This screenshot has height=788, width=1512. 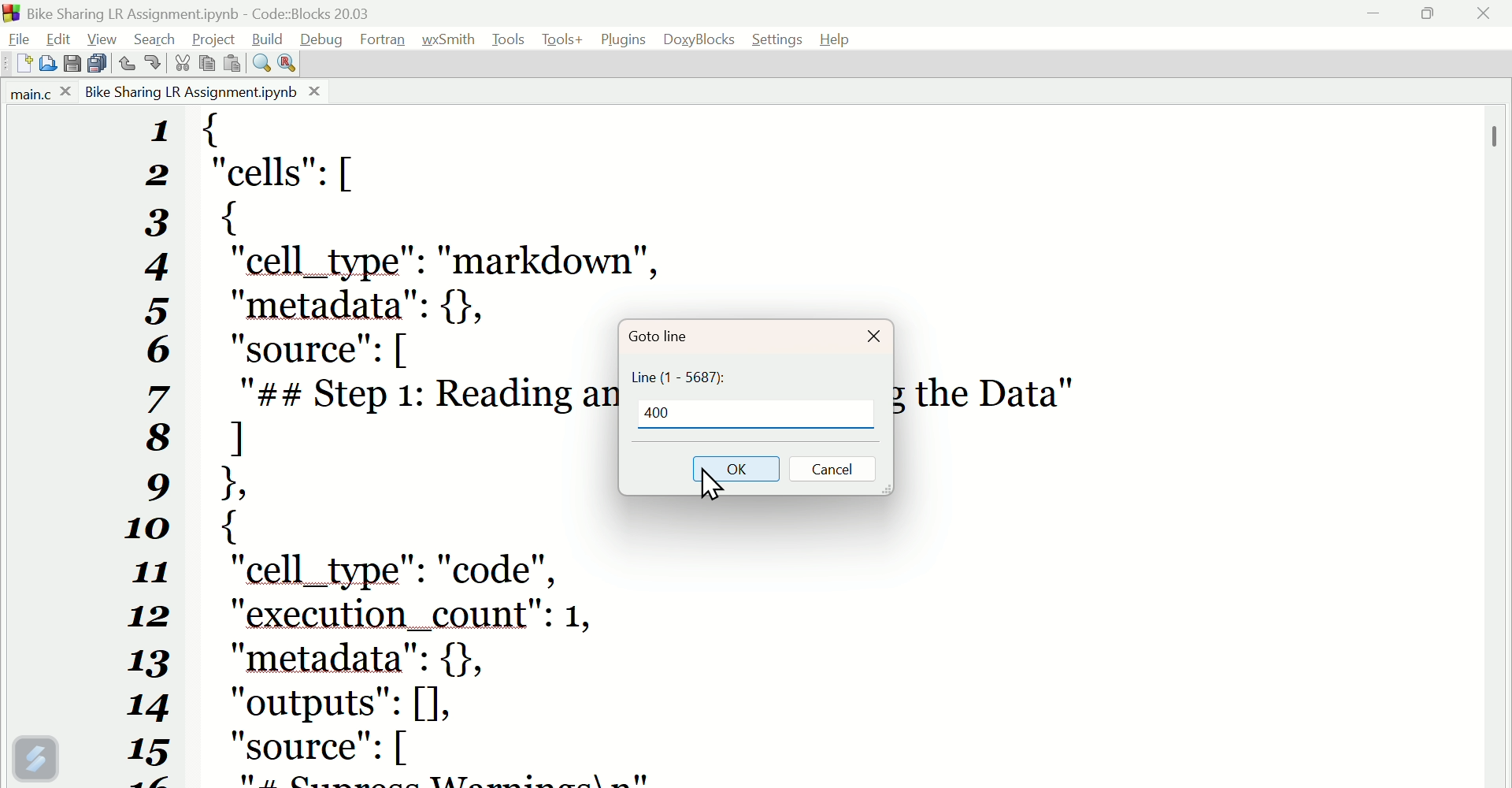 I want to click on Line (1-5687), so click(x=692, y=377).